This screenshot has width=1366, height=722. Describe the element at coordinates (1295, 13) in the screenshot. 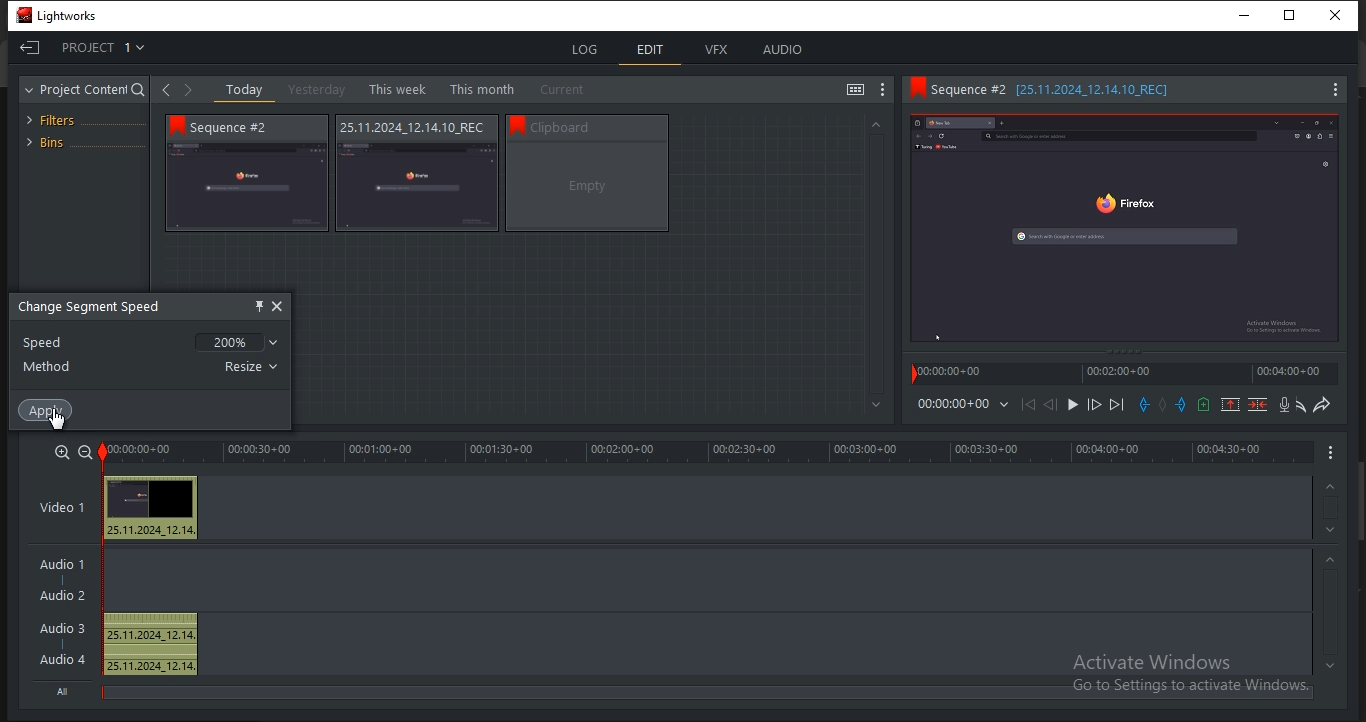

I see `Restore` at that location.